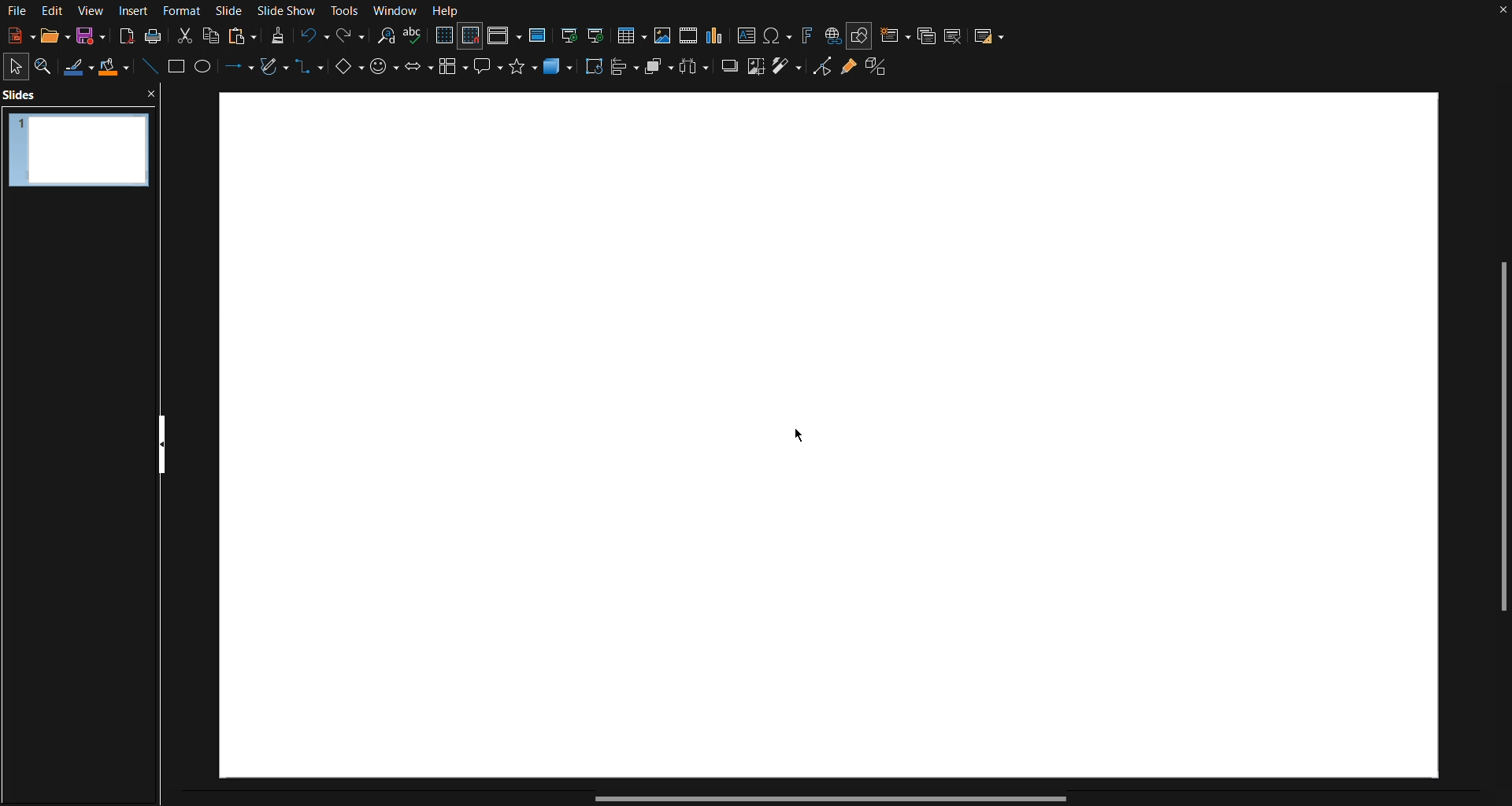 The image size is (1512, 806). I want to click on Snap to Grid, so click(471, 37).